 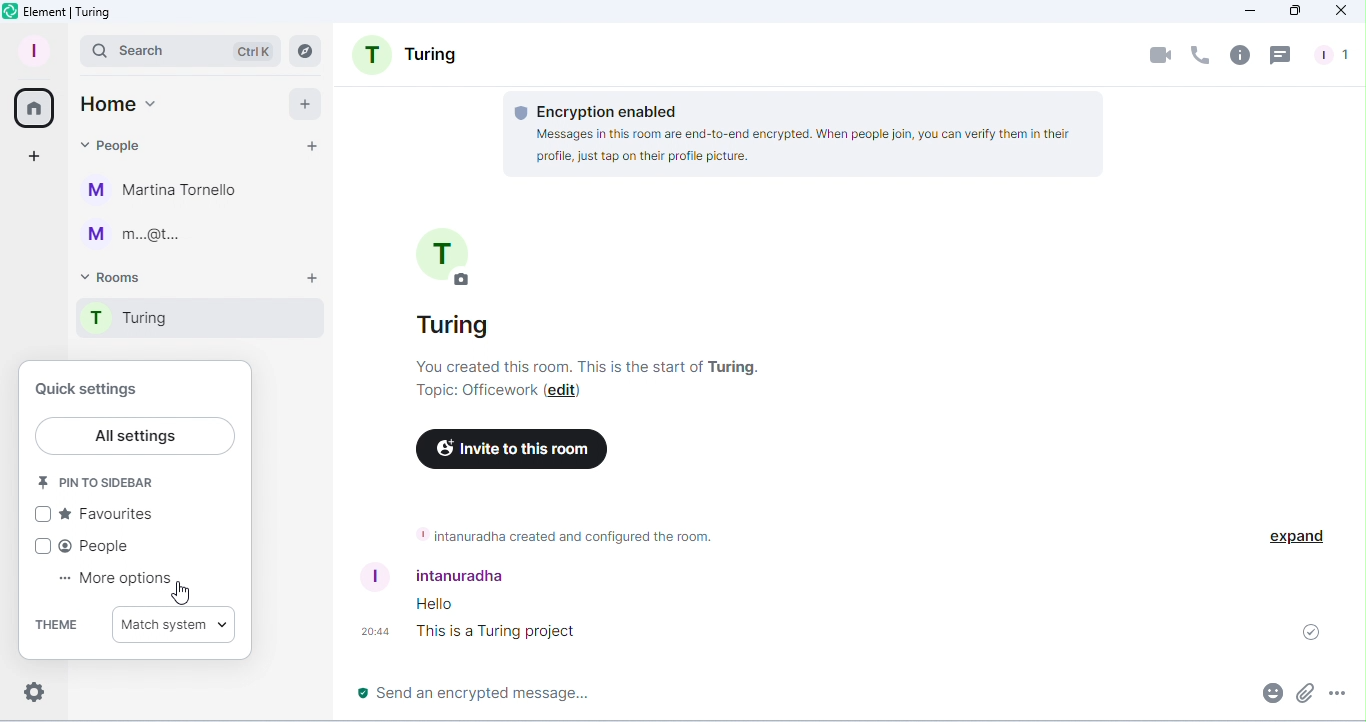 I want to click on Theme, so click(x=56, y=624).